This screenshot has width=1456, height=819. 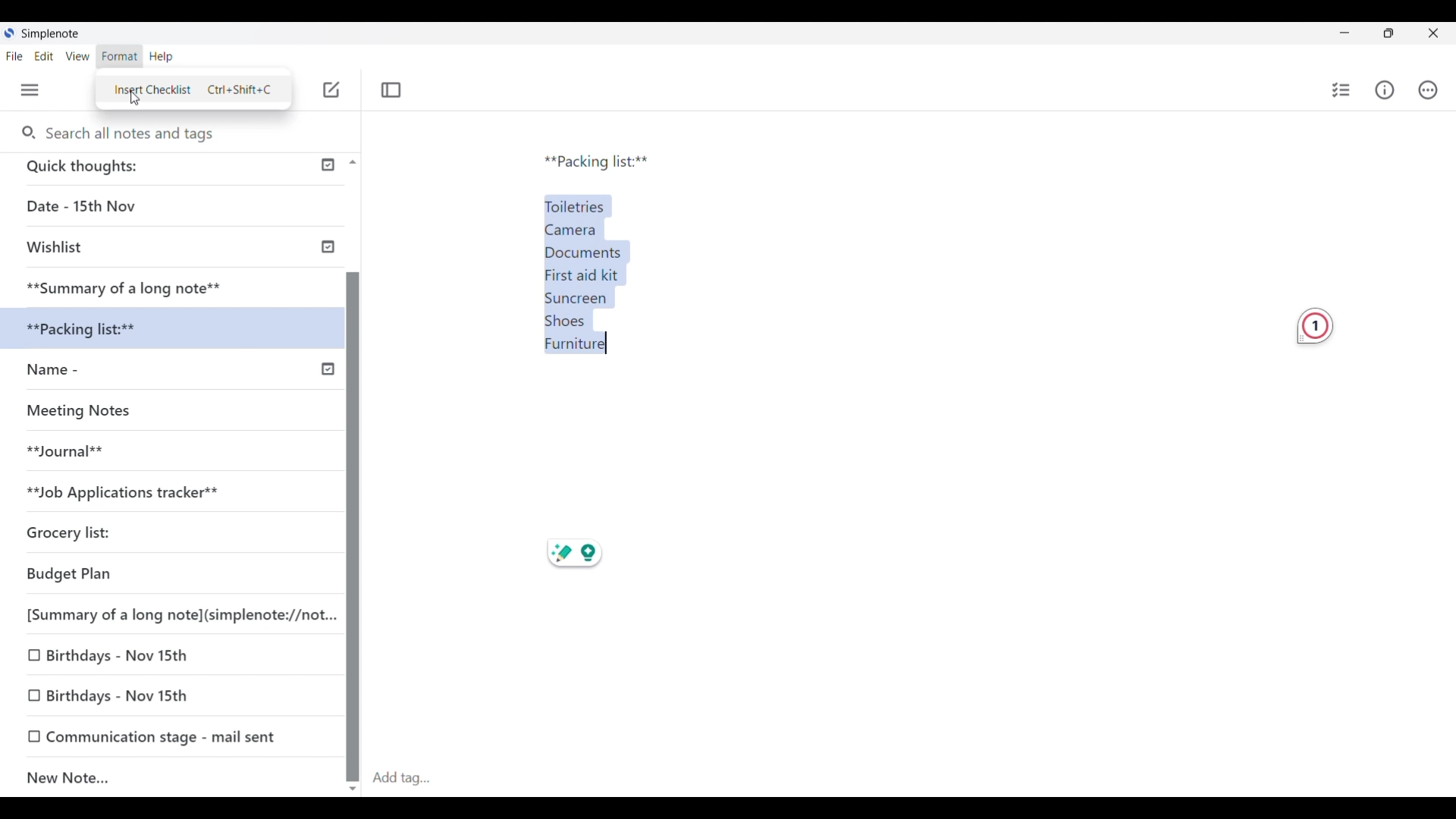 What do you see at coordinates (1388, 93) in the screenshot?
I see `Info` at bounding box center [1388, 93].